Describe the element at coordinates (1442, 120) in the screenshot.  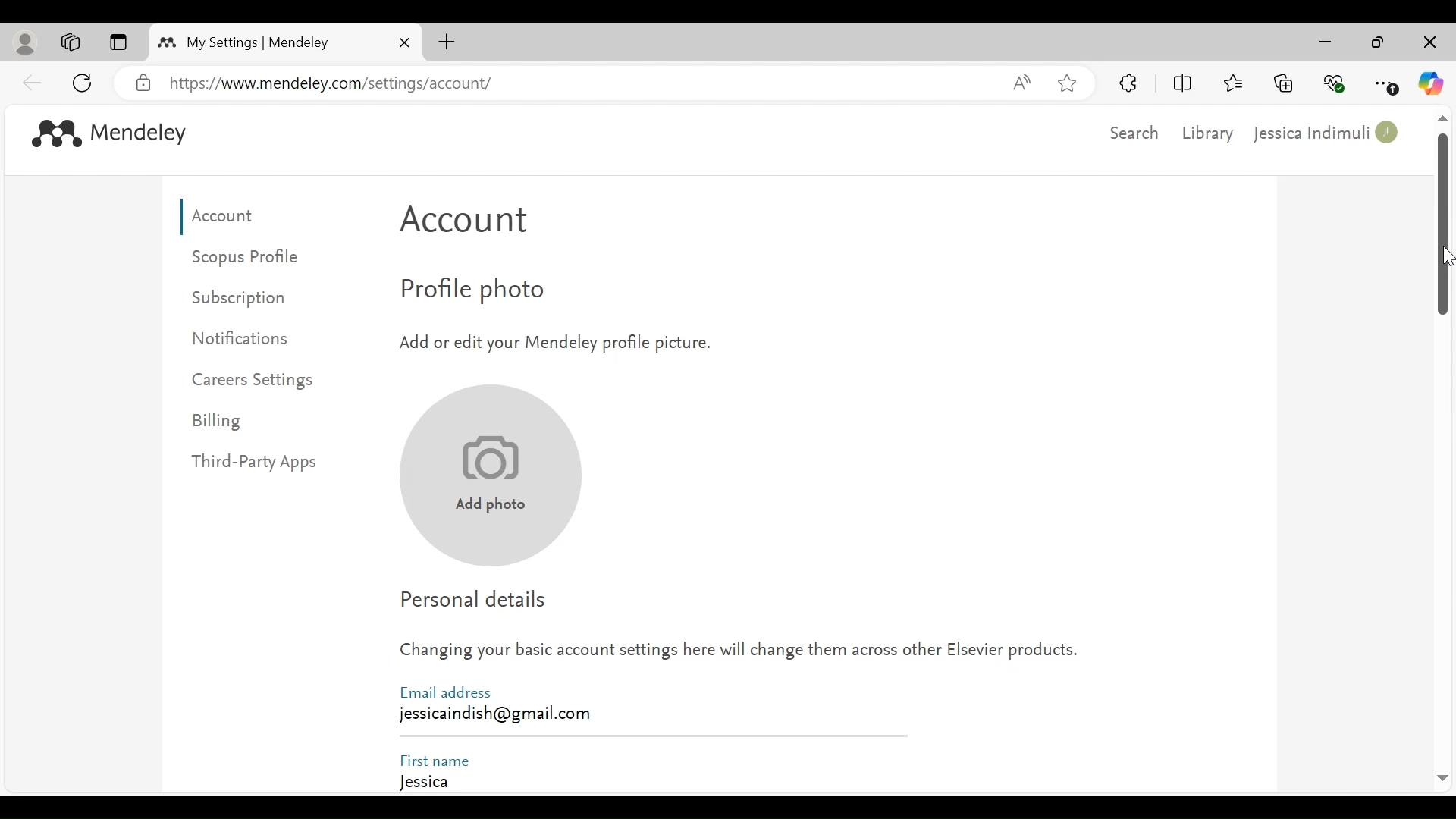
I see `scroll up` at that location.